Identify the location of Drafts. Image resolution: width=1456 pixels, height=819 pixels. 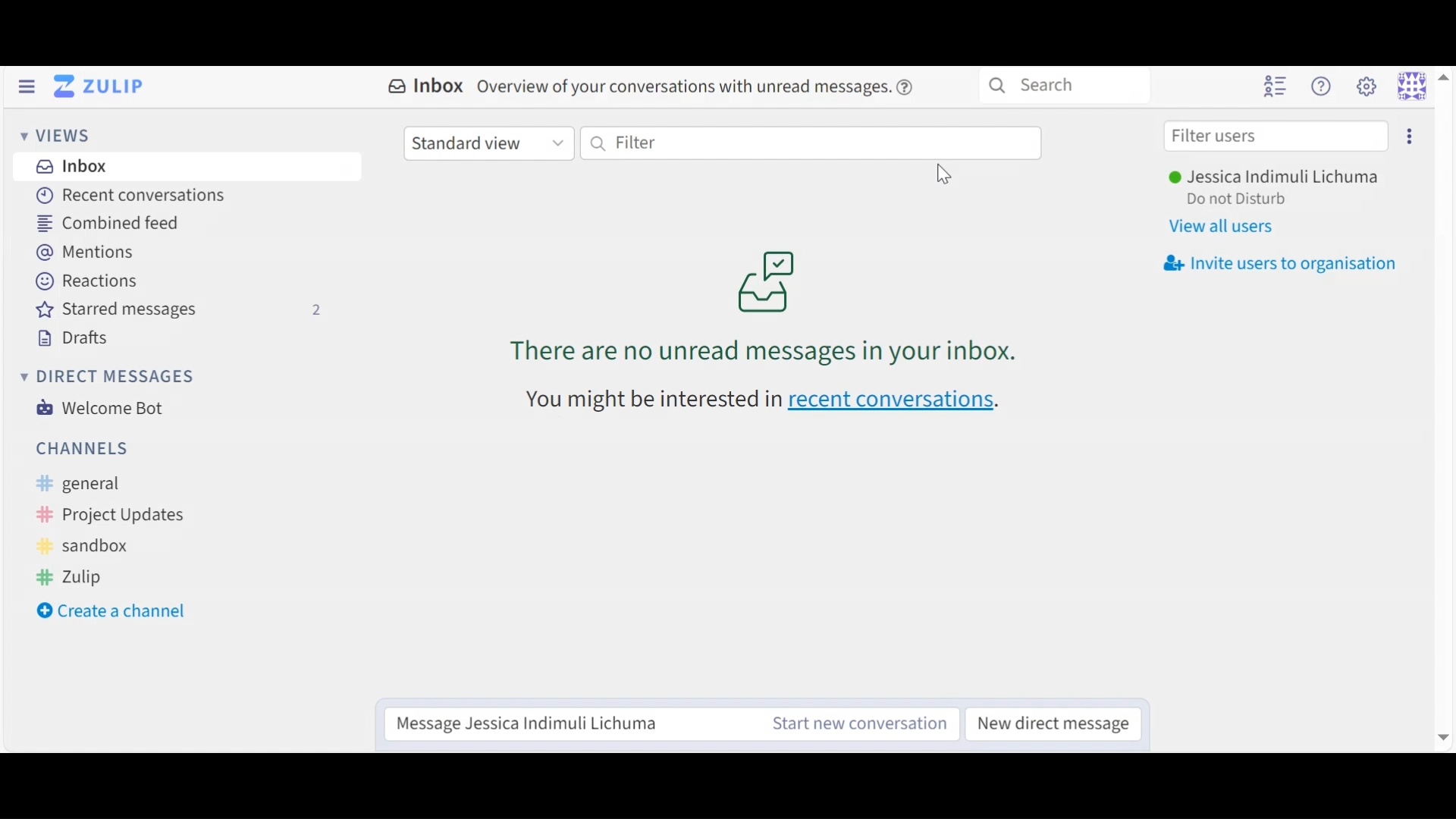
(74, 338).